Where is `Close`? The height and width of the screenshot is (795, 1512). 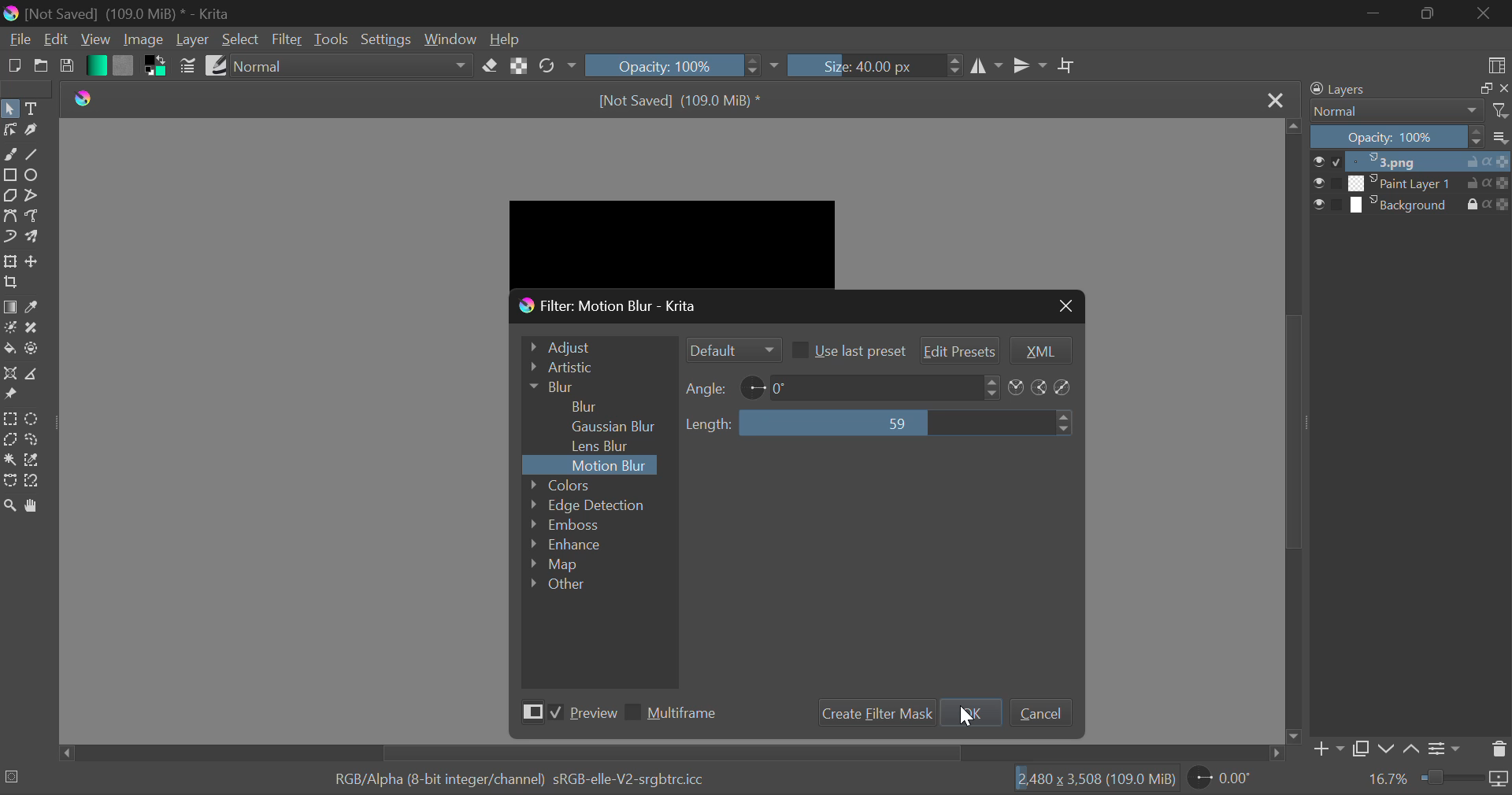
Close is located at coordinates (1484, 14).